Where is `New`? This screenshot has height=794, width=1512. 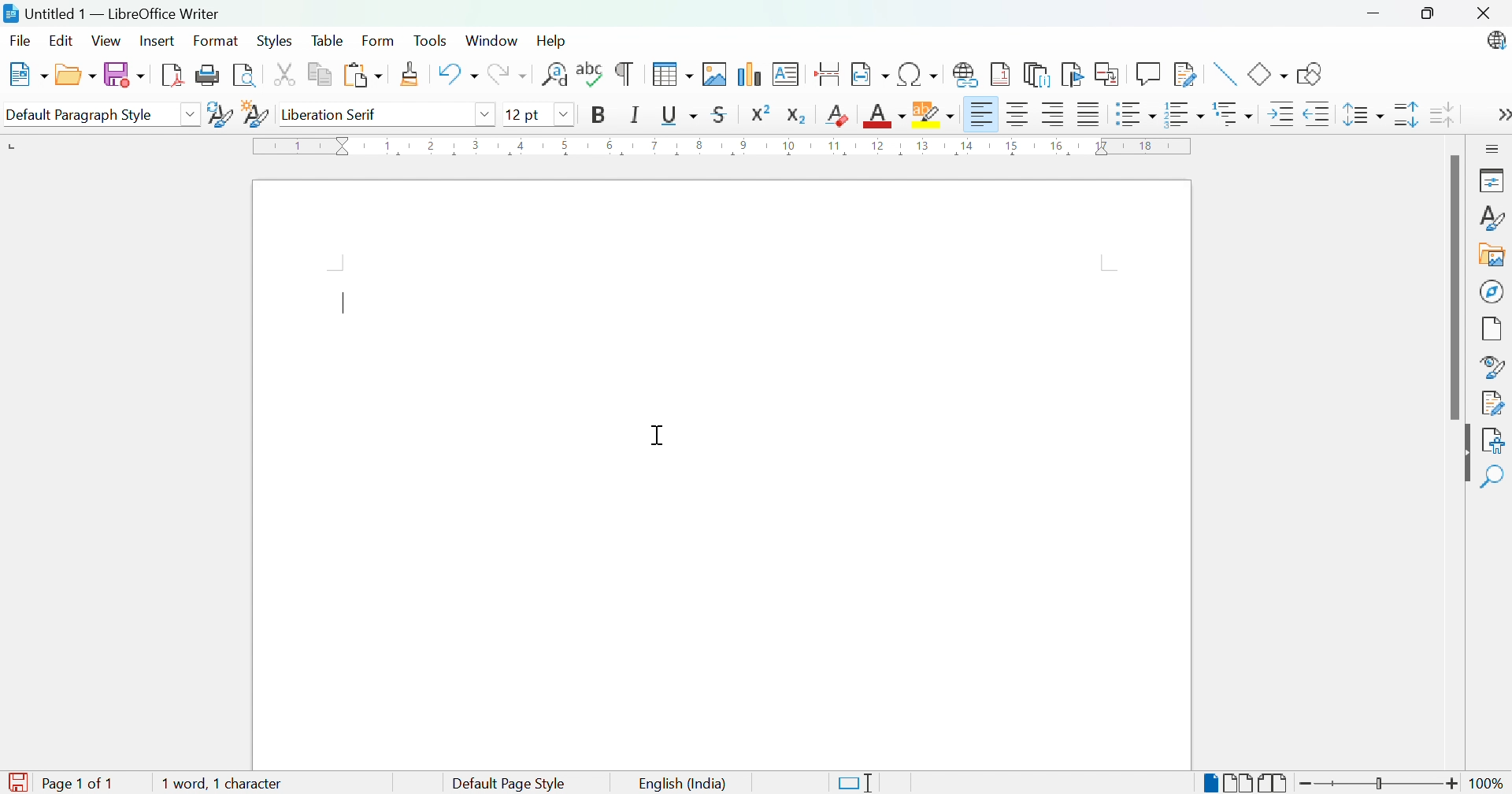
New is located at coordinates (31, 73).